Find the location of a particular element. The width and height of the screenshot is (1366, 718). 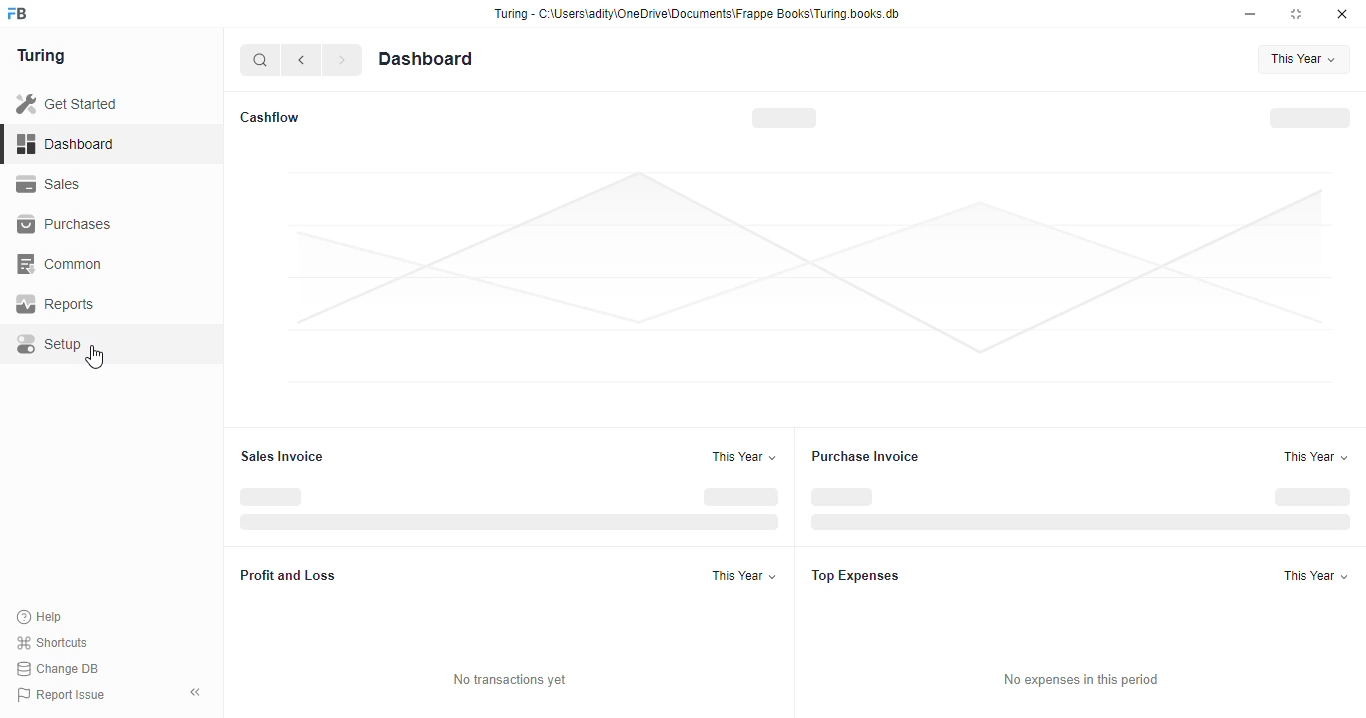

Get Started is located at coordinates (67, 101).